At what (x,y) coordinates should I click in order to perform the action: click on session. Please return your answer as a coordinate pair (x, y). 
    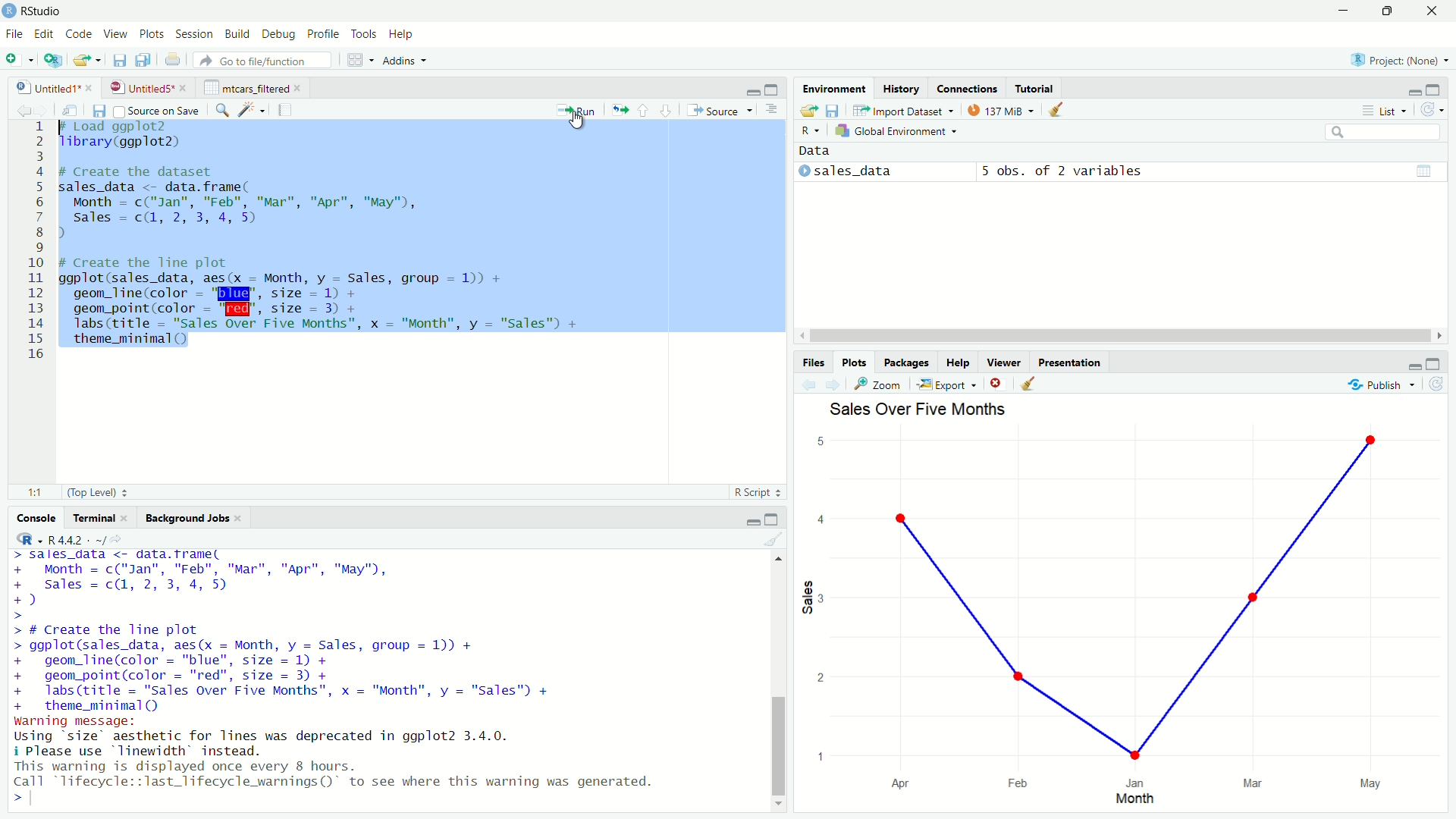
    Looking at the image, I should click on (195, 35).